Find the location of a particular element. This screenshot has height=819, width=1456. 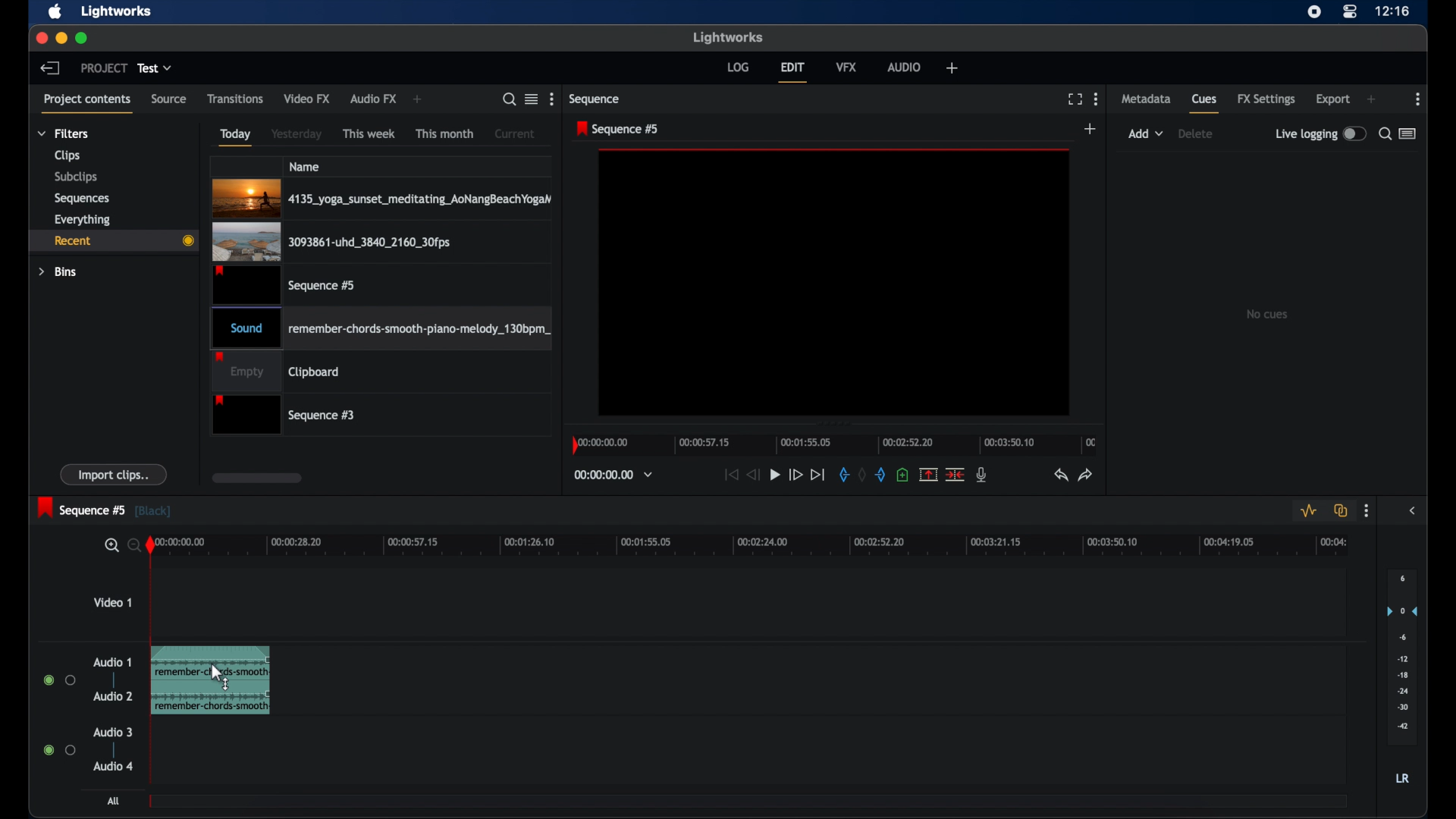

welfare is located at coordinates (952, 68).